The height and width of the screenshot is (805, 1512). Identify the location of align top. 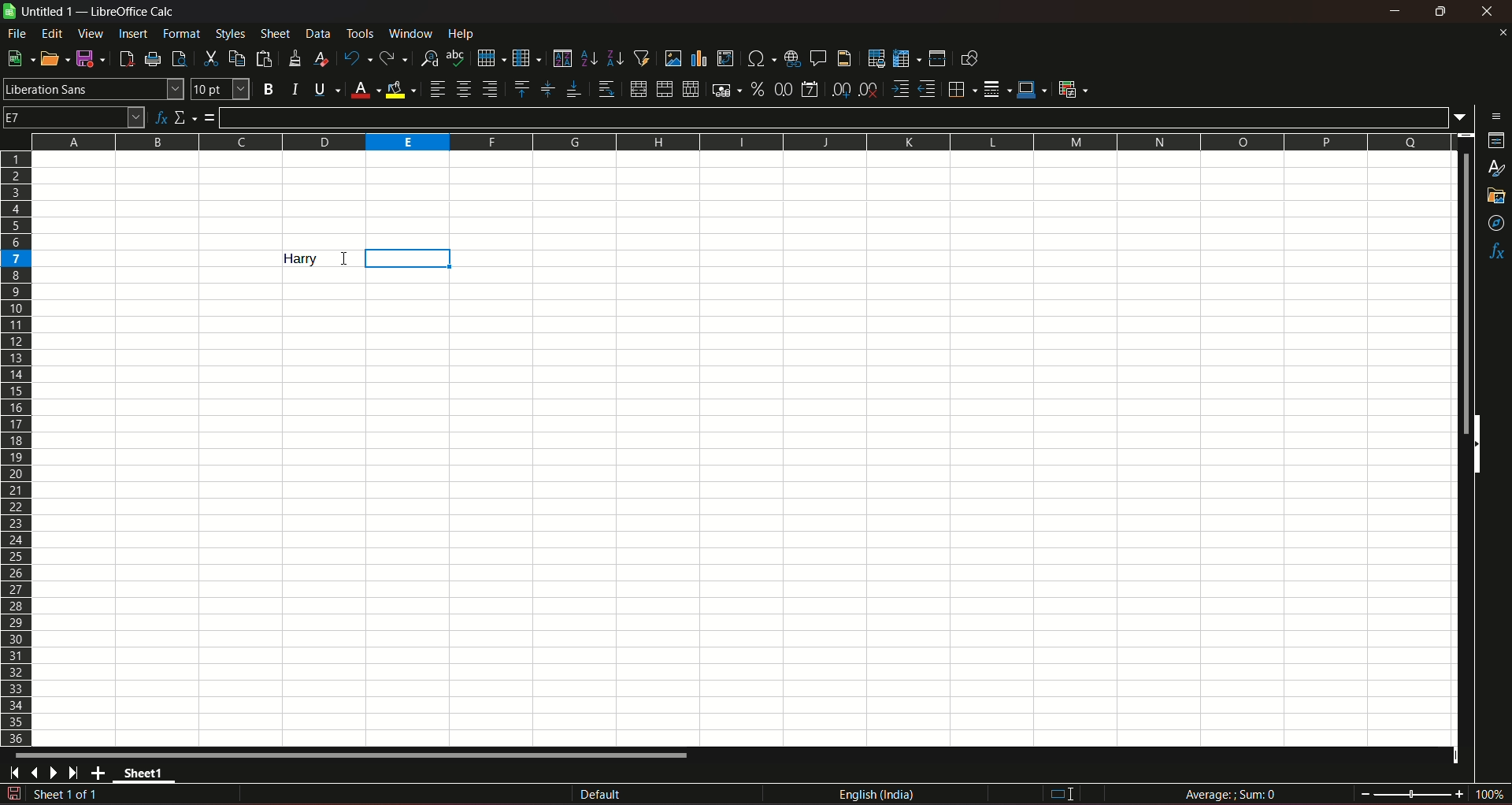
(521, 88).